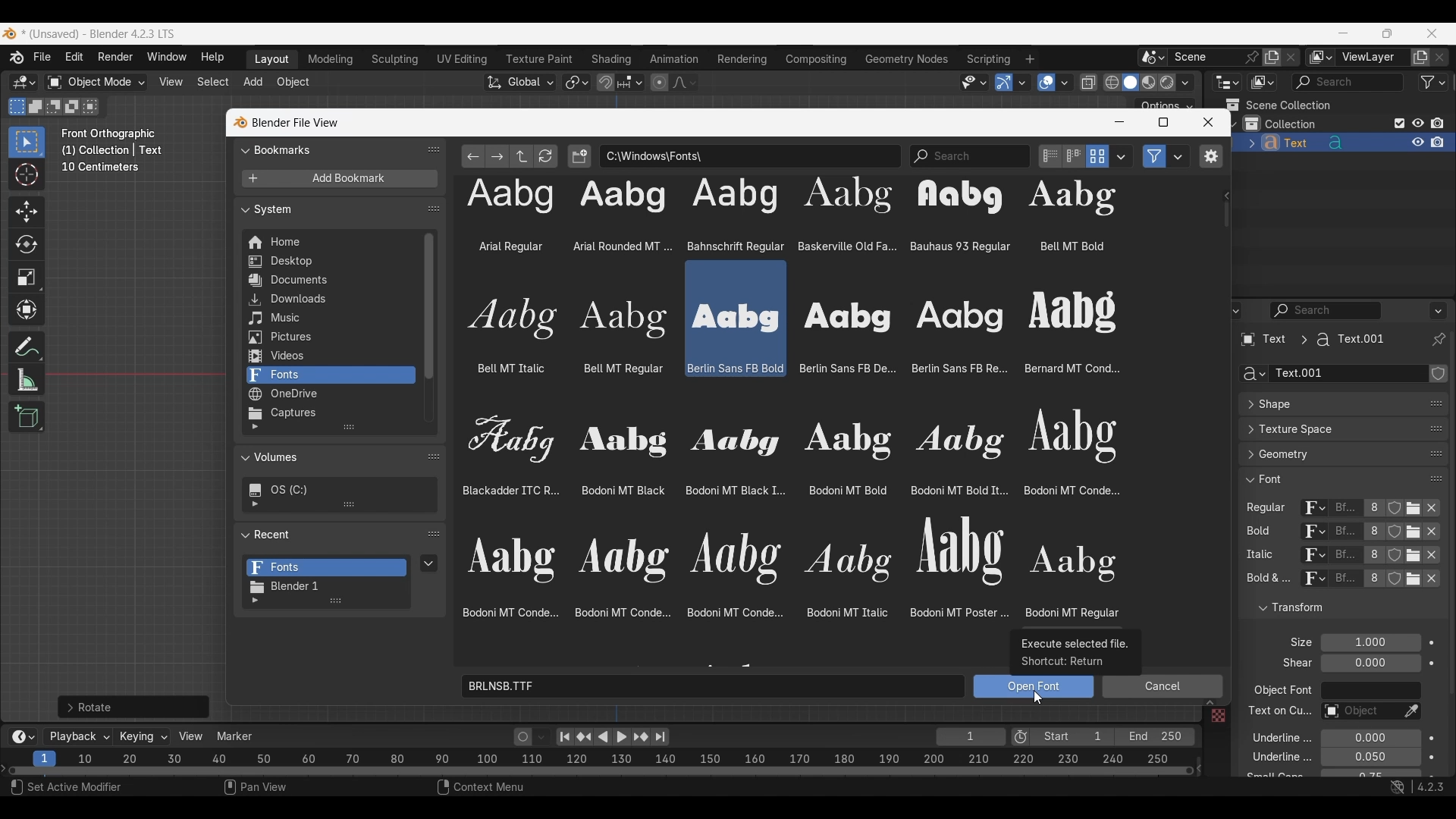  I want to click on Editor type, so click(1227, 310).